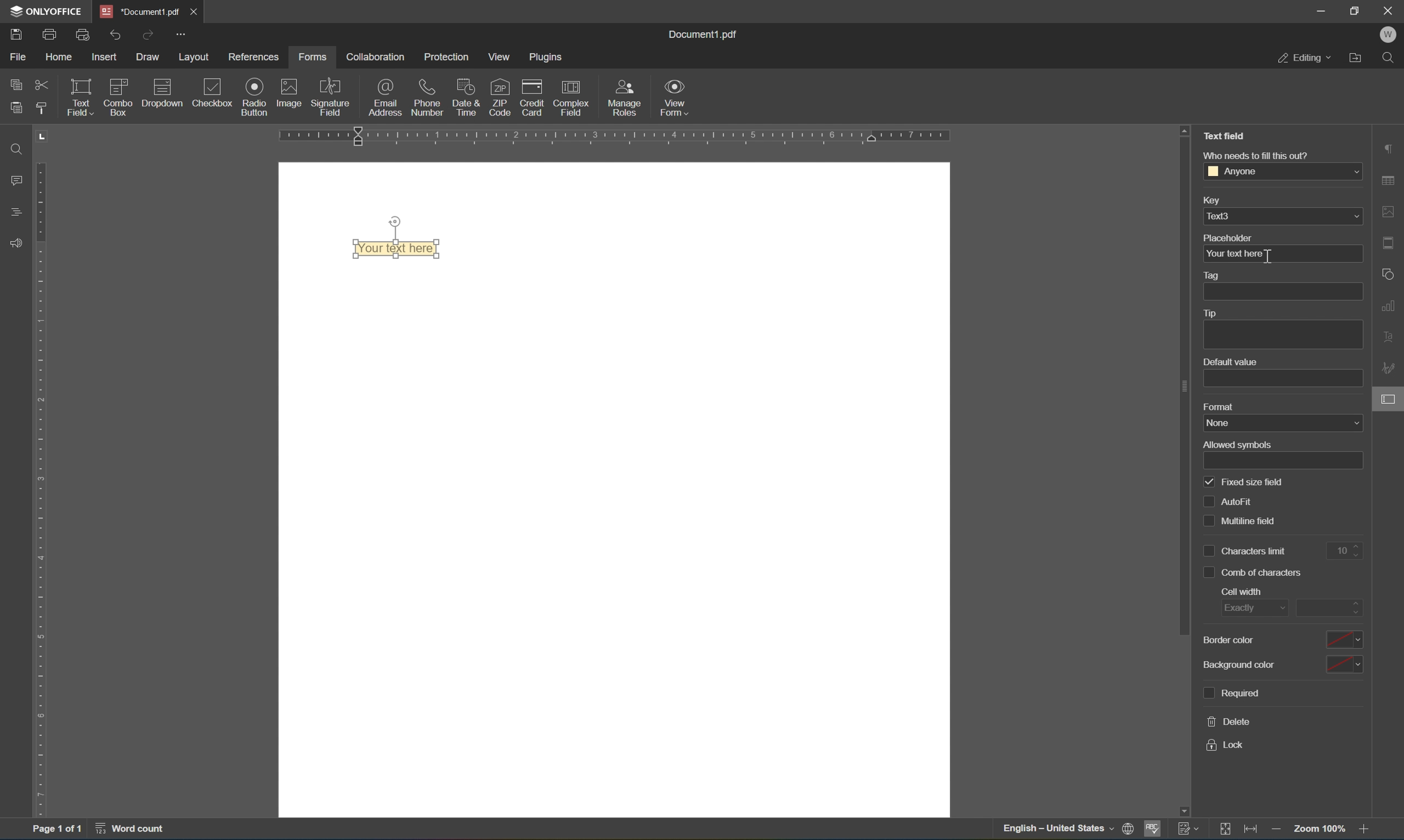 This screenshot has height=840, width=1404. I want to click on zoom out, so click(1277, 832).